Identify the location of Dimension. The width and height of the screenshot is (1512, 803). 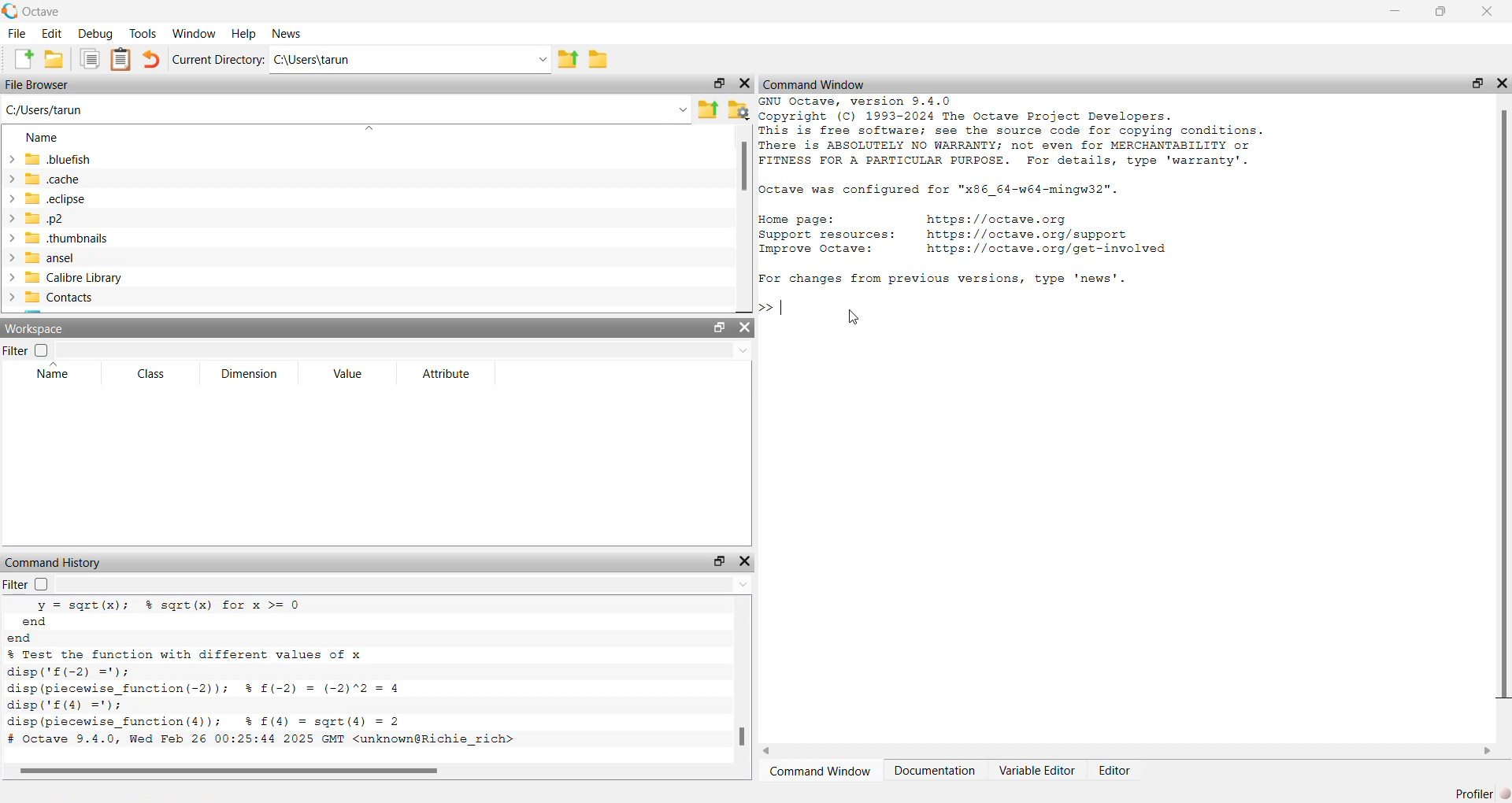
(251, 373).